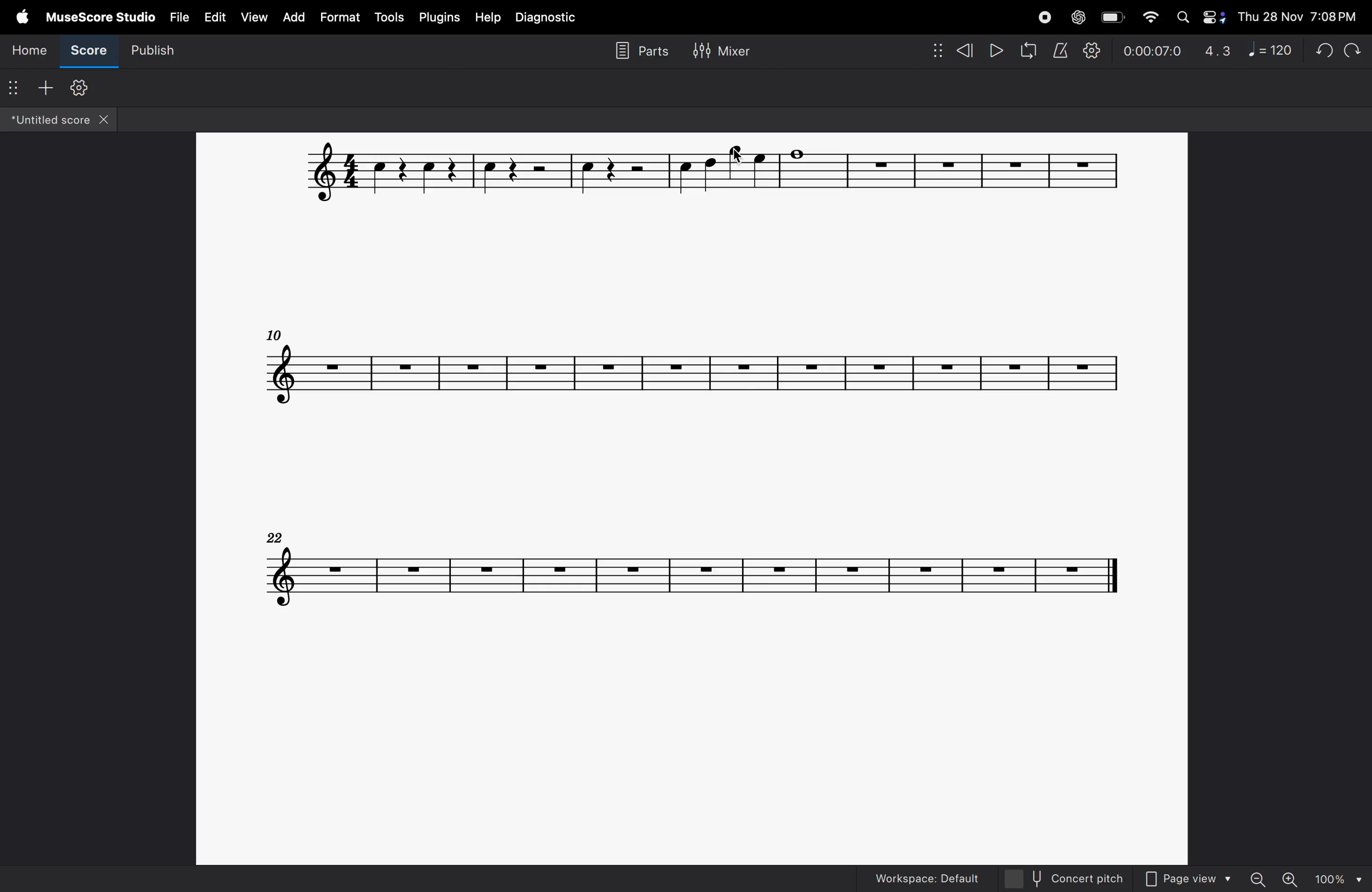  I want to click on diagnostic, so click(551, 18).